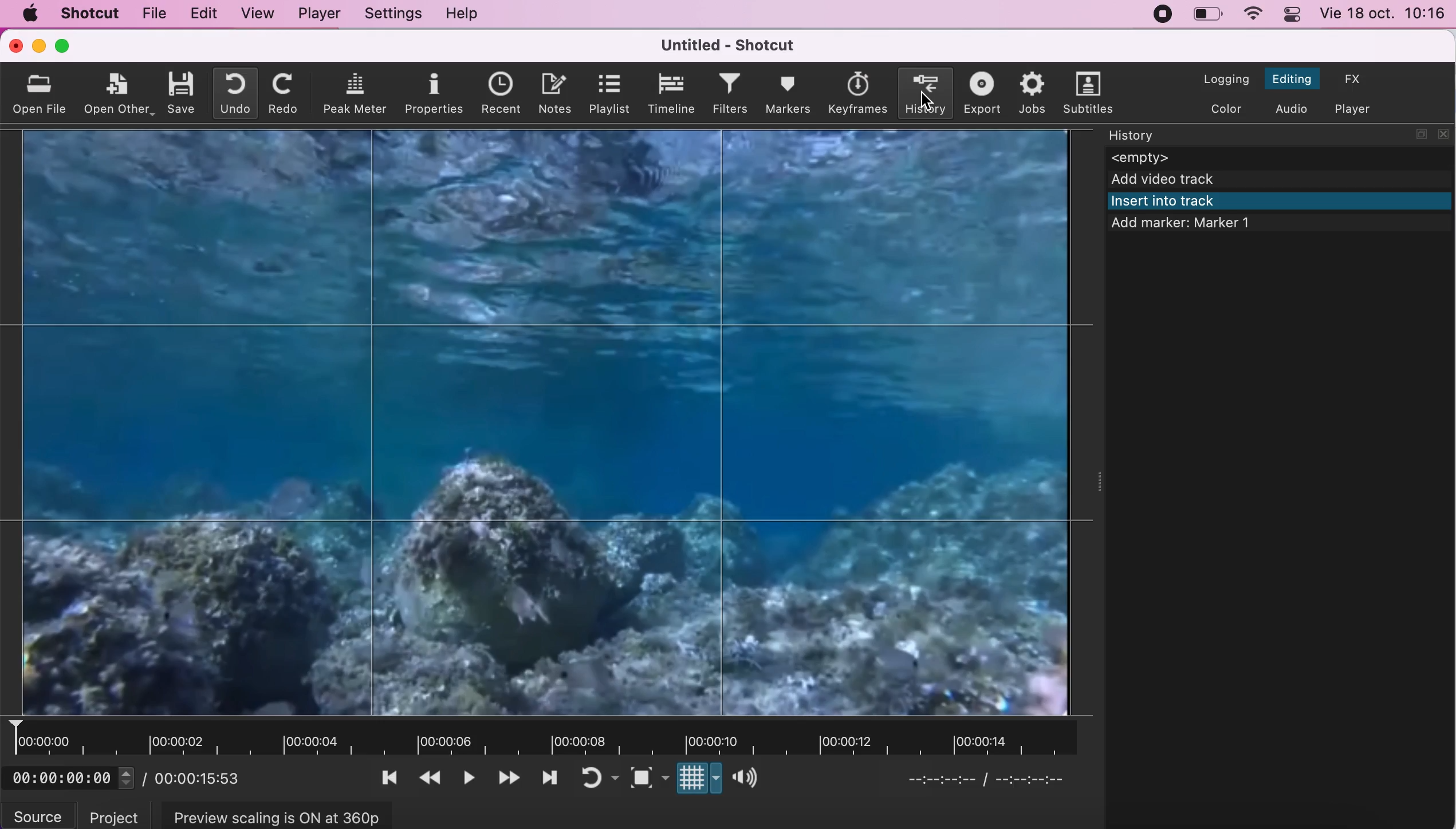 Image resolution: width=1456 pixels, height=829 pixels. Describe the element at coordinates (498, 93) in the screenshot. I see `recent` at that location.